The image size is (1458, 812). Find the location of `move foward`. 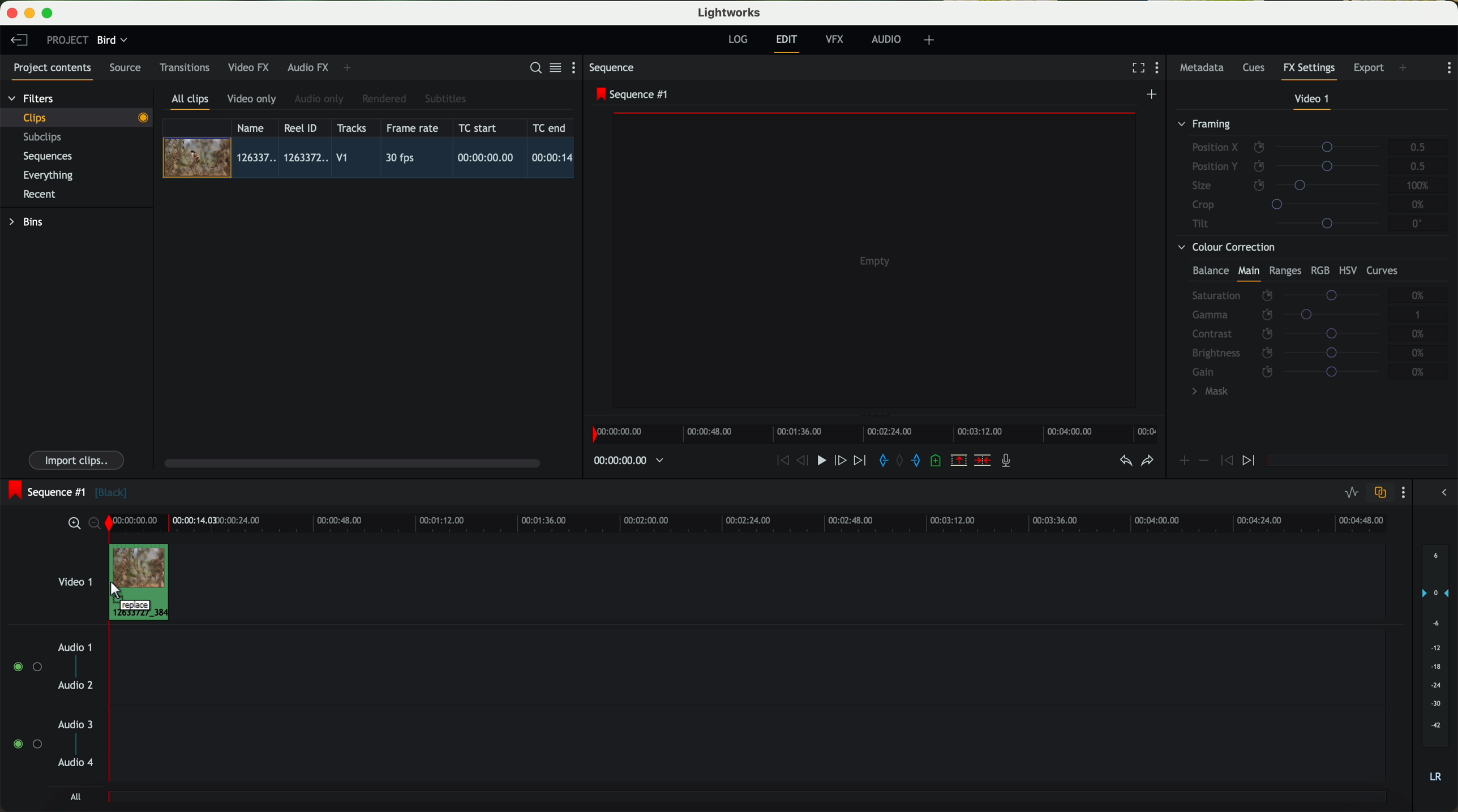

move foward is located at coordinates (859, 461).